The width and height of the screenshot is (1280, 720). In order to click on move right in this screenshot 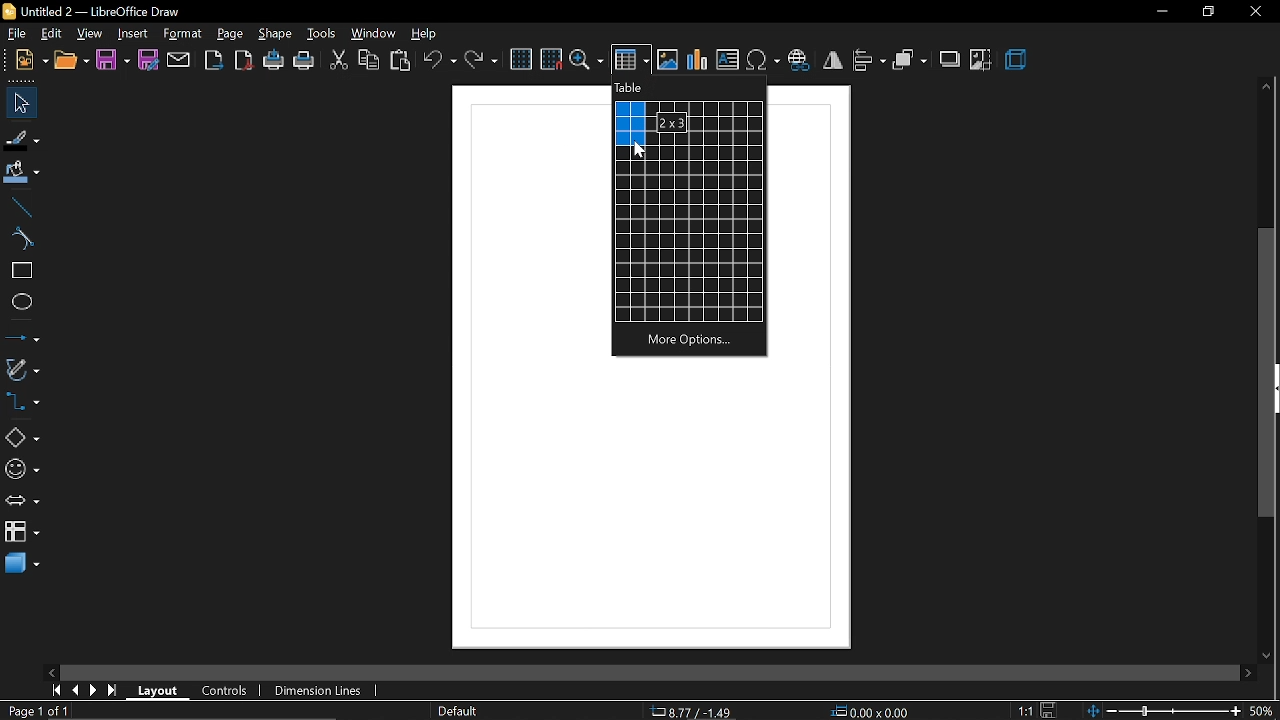, I will do `click(1251, 673)`.